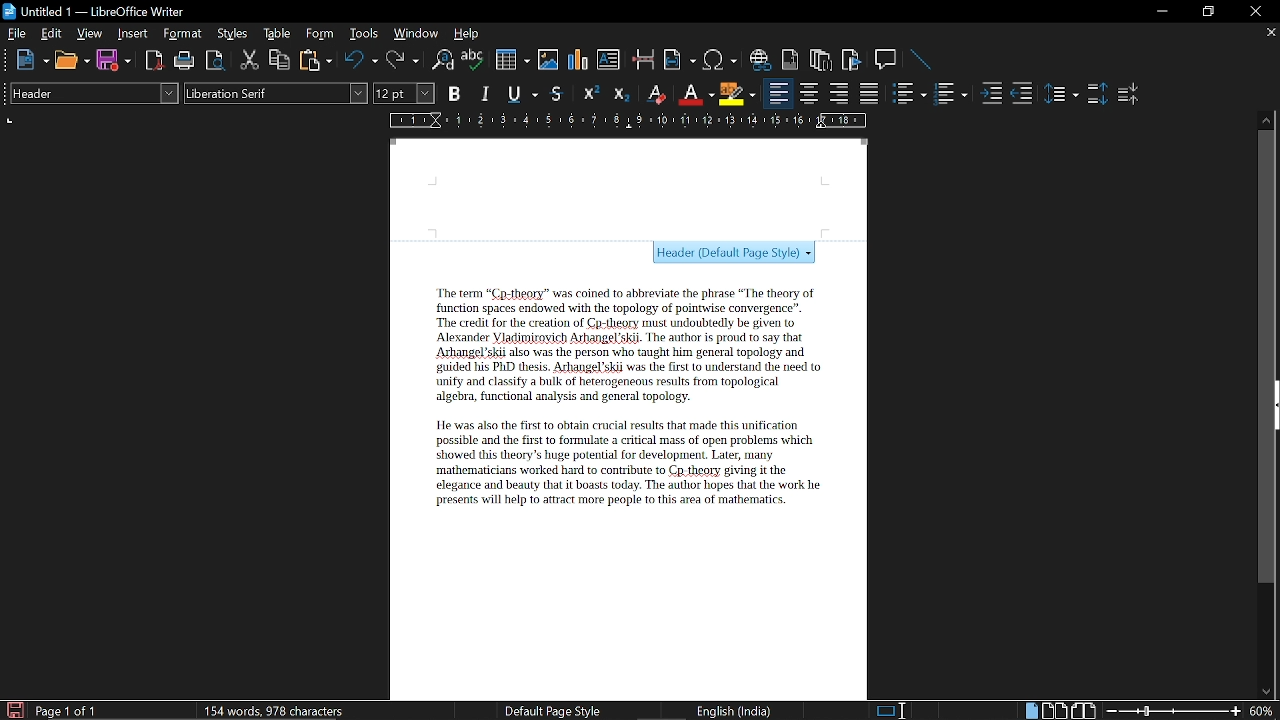  What do you see at coordinates (557, 93) in the screenshot?
I see `Strike through` at bounding box center [557, 93].